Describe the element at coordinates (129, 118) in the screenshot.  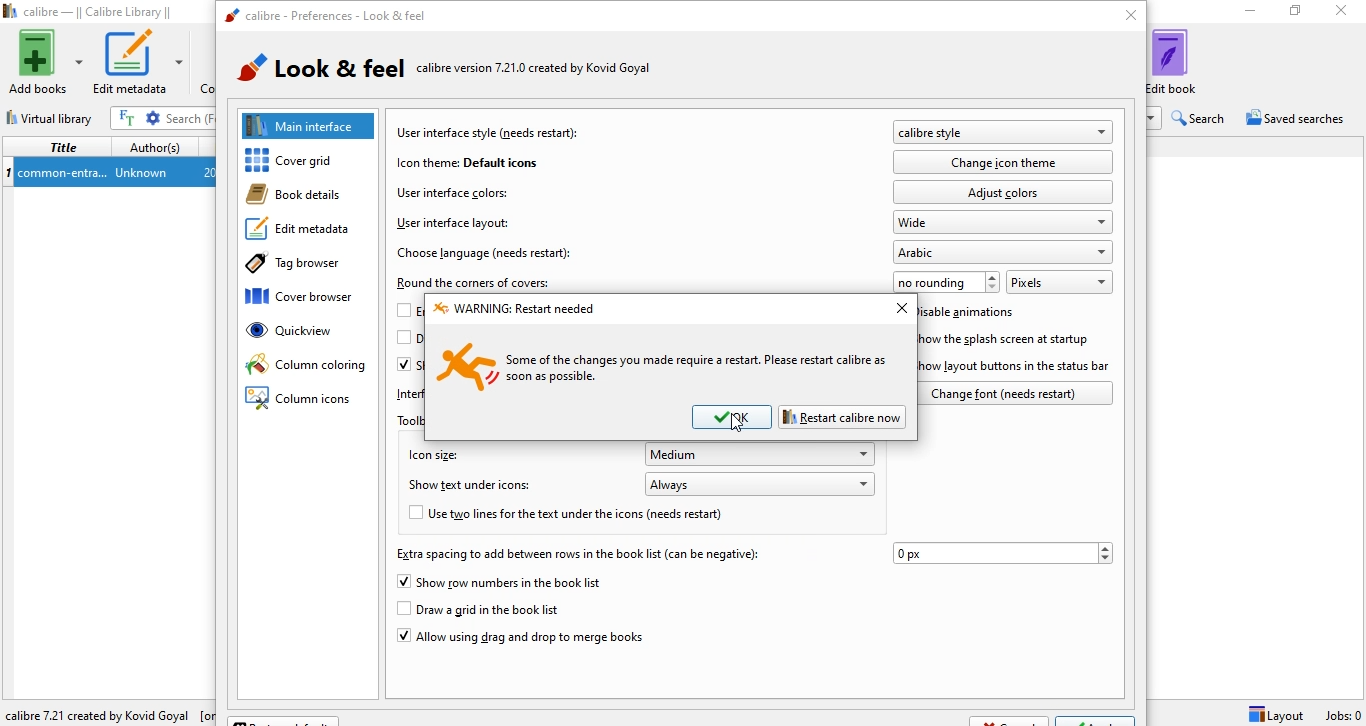
I see `full text search` at that location.